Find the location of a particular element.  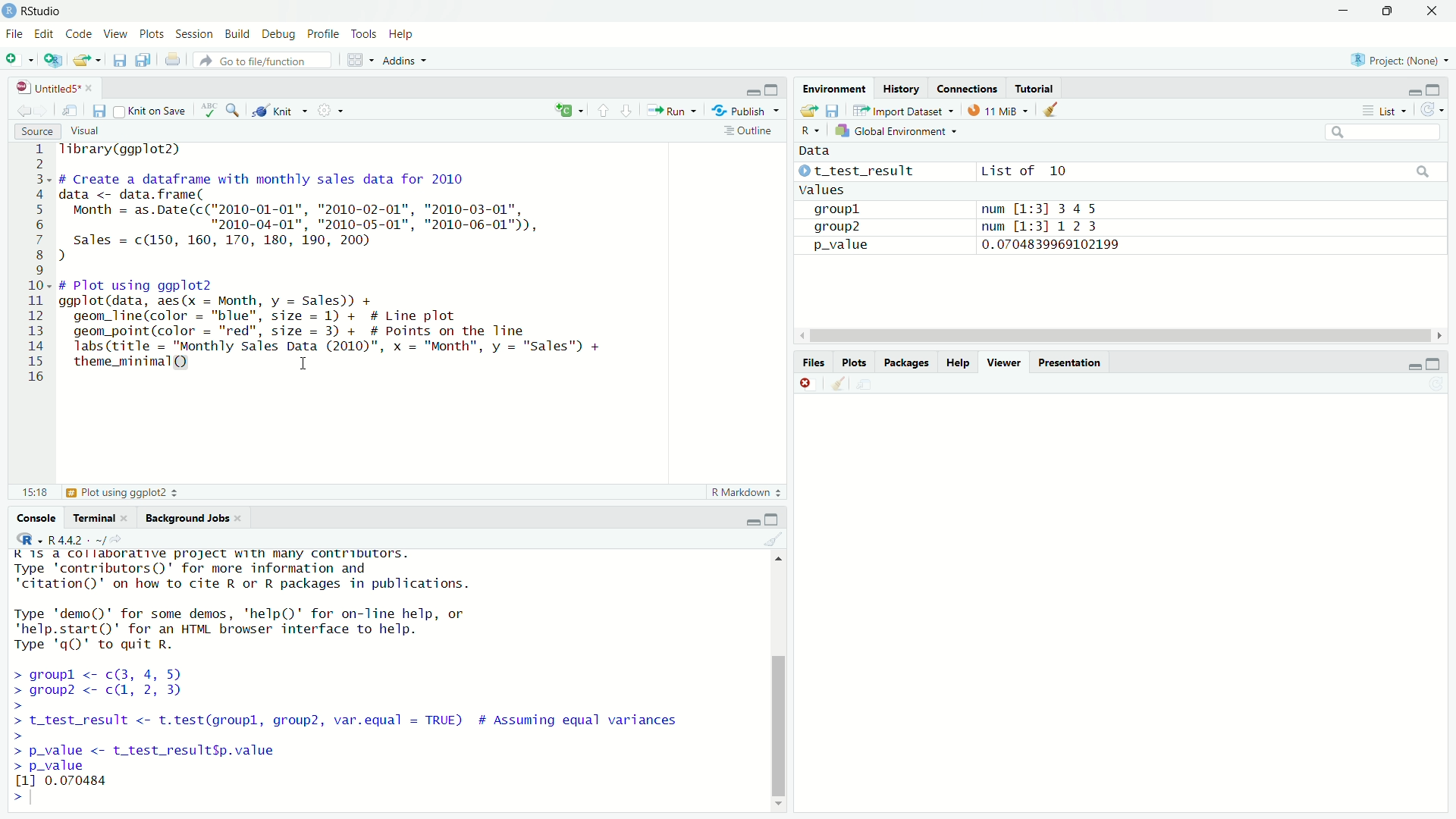

 11MB  is located at coordinates (998, 110).